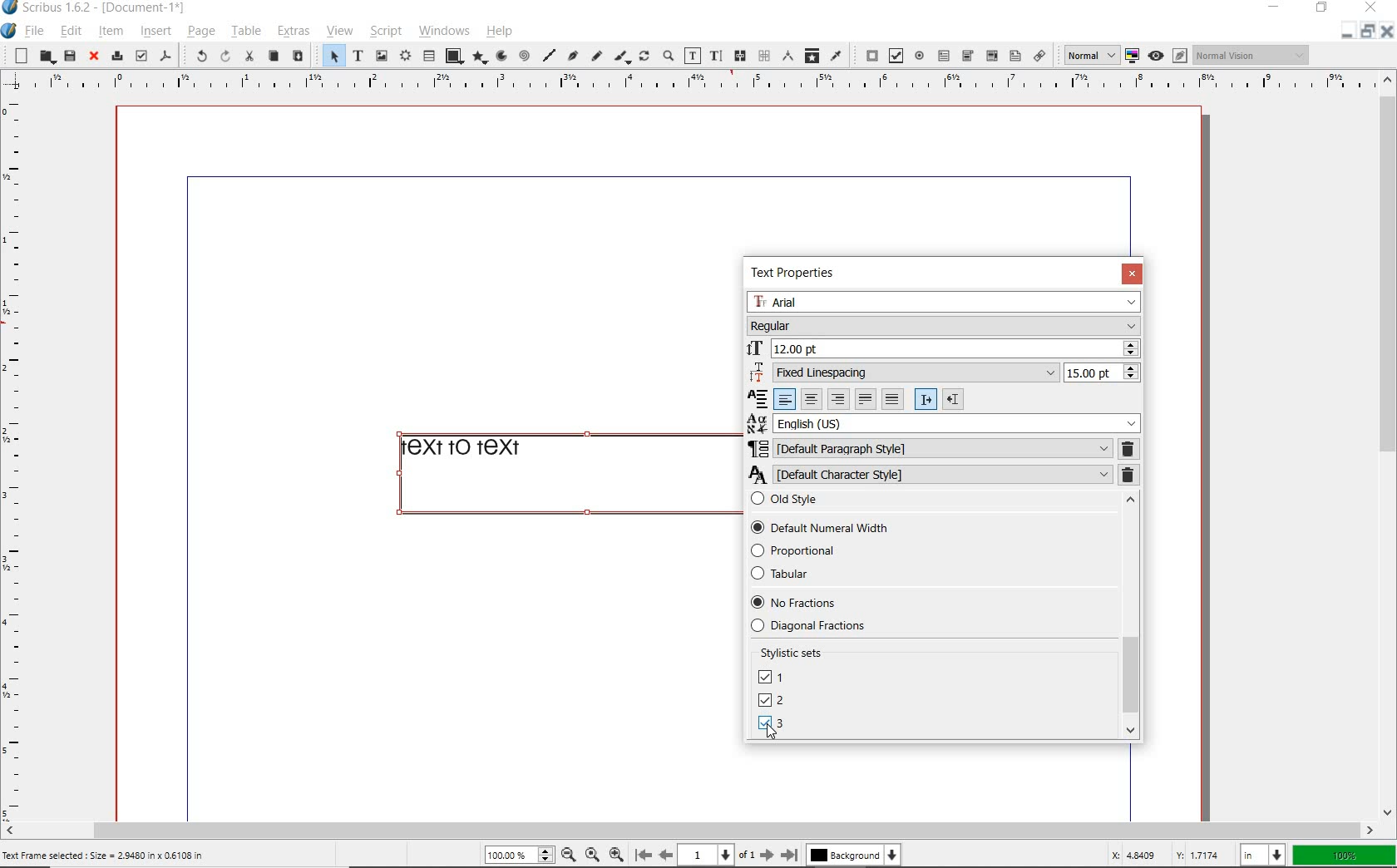 The image size is (1397, 868). What do you see at coordinates (224, 56) in the screenshot?
I see `redo` at bounding box center [224, 56].